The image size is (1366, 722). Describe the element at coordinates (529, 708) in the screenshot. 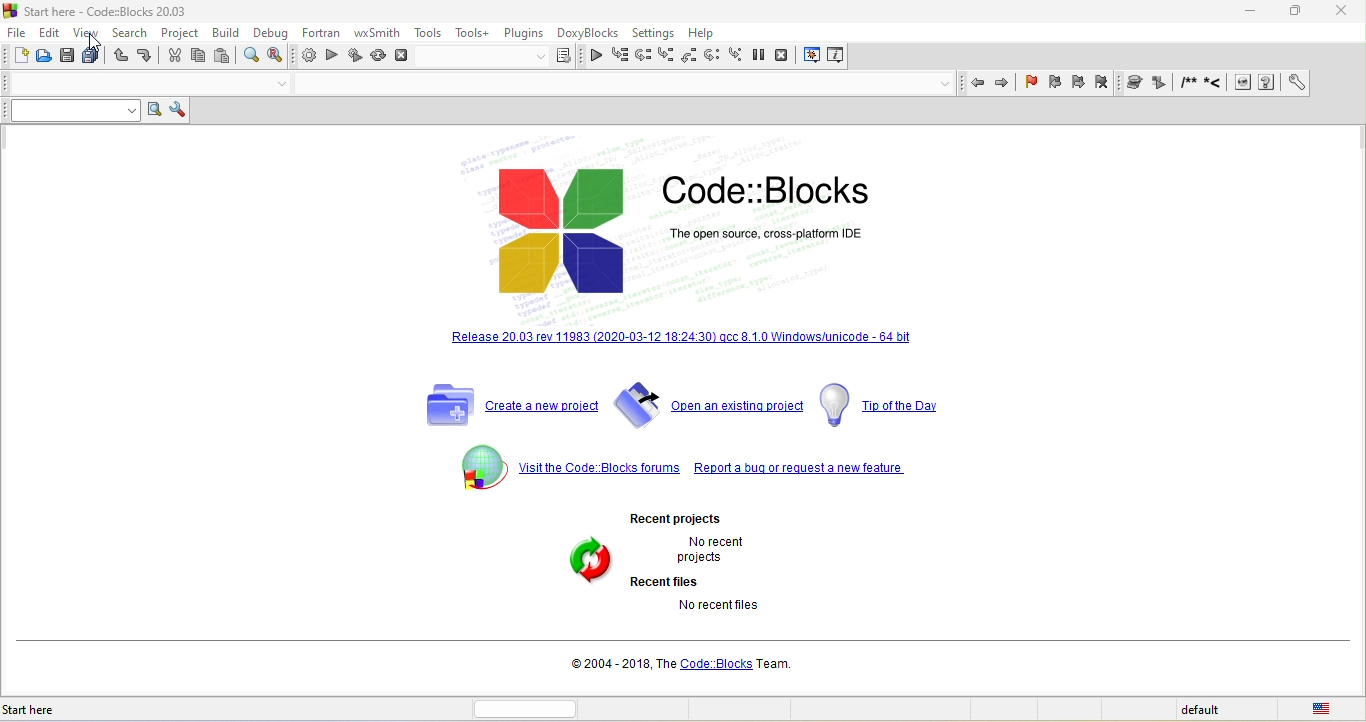

I see `horizontal scroll bar` at that location.